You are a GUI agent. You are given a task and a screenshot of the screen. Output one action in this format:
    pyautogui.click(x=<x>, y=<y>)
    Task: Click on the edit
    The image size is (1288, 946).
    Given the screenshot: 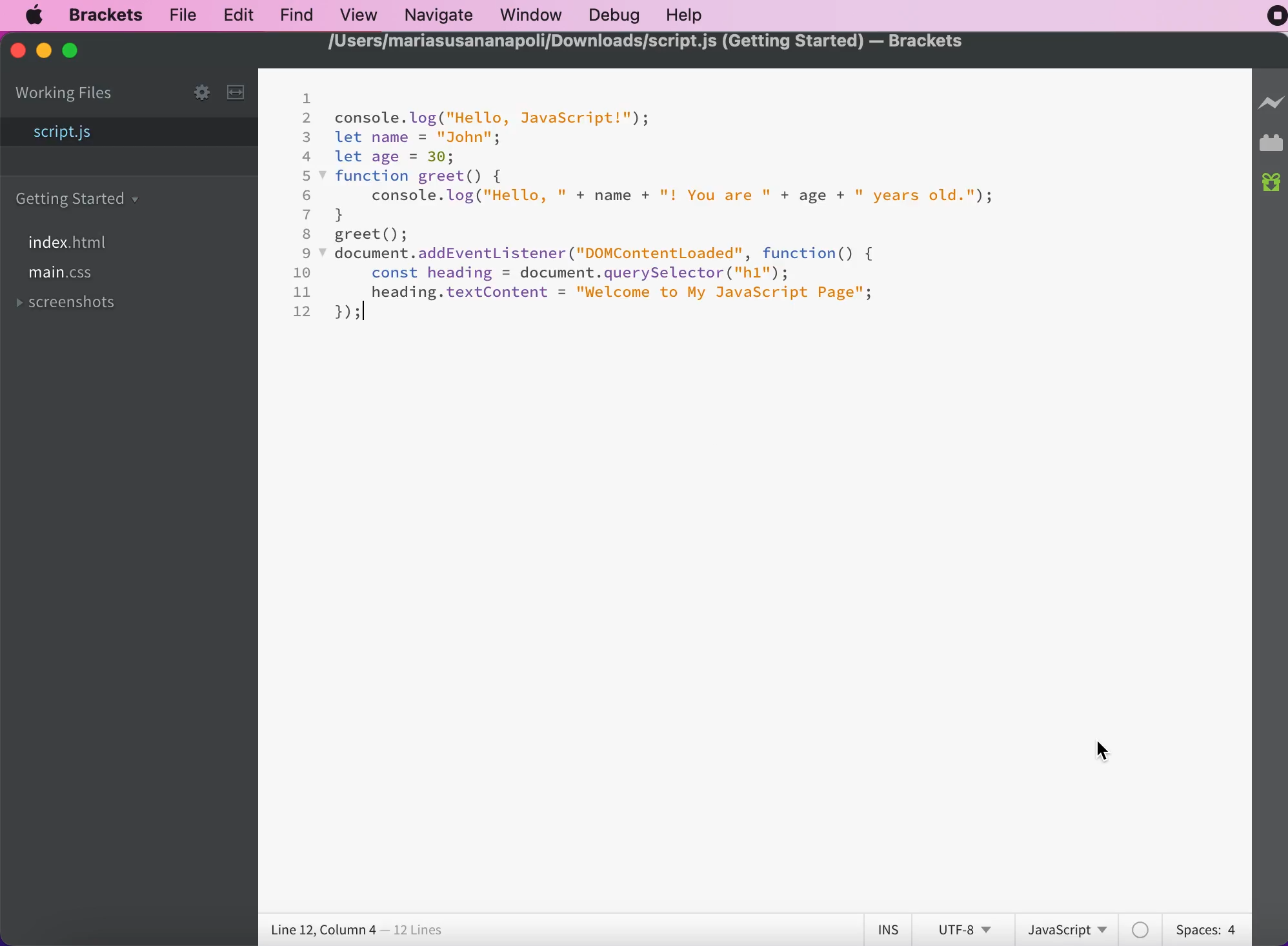 What is the action you would take?
    pyautogui.click(x=234, y=14)
    